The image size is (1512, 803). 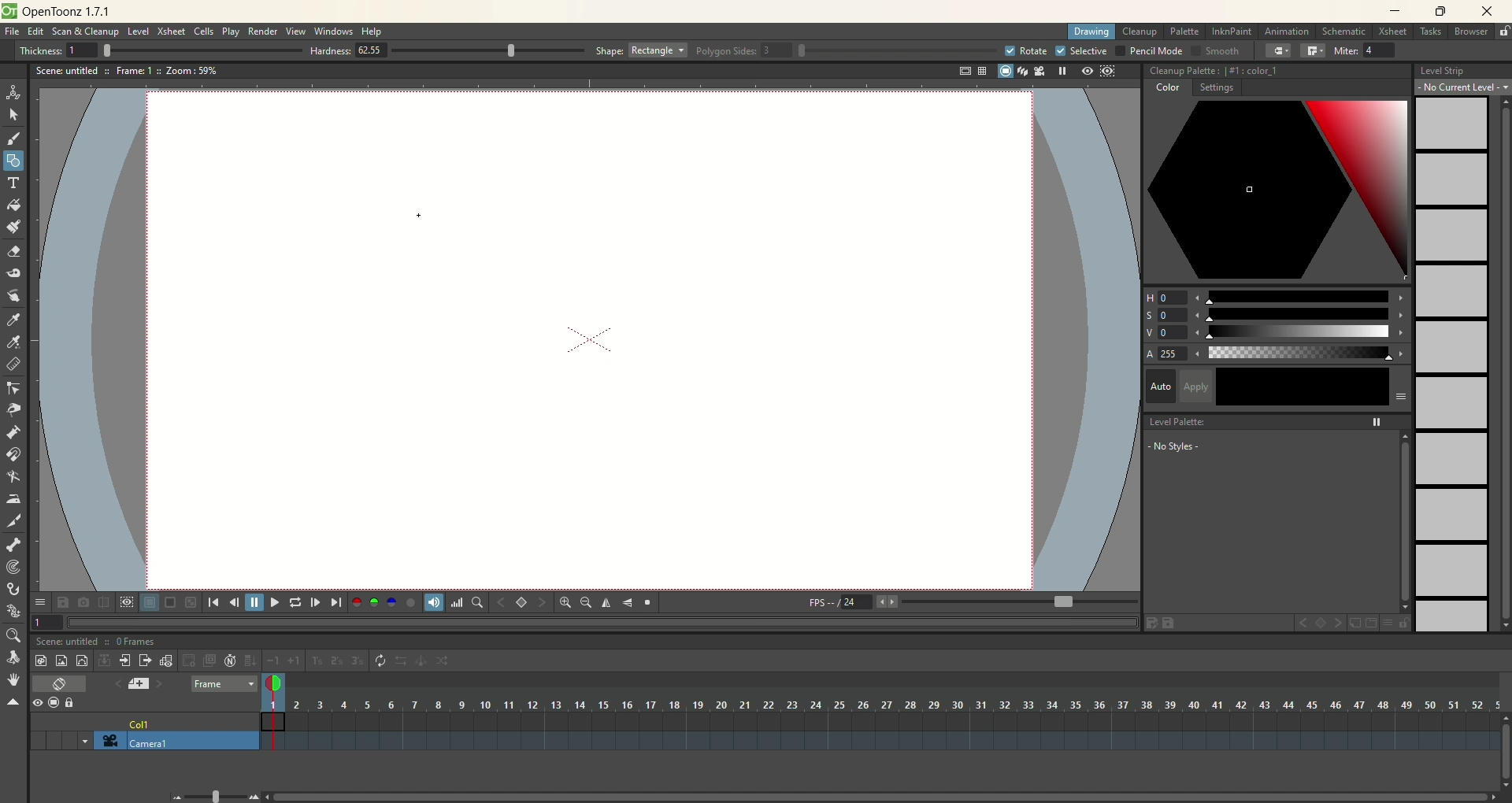 What do you see at coordinates (423, 662) in the screenshot?
I see `` at bounding box center [423, 662].